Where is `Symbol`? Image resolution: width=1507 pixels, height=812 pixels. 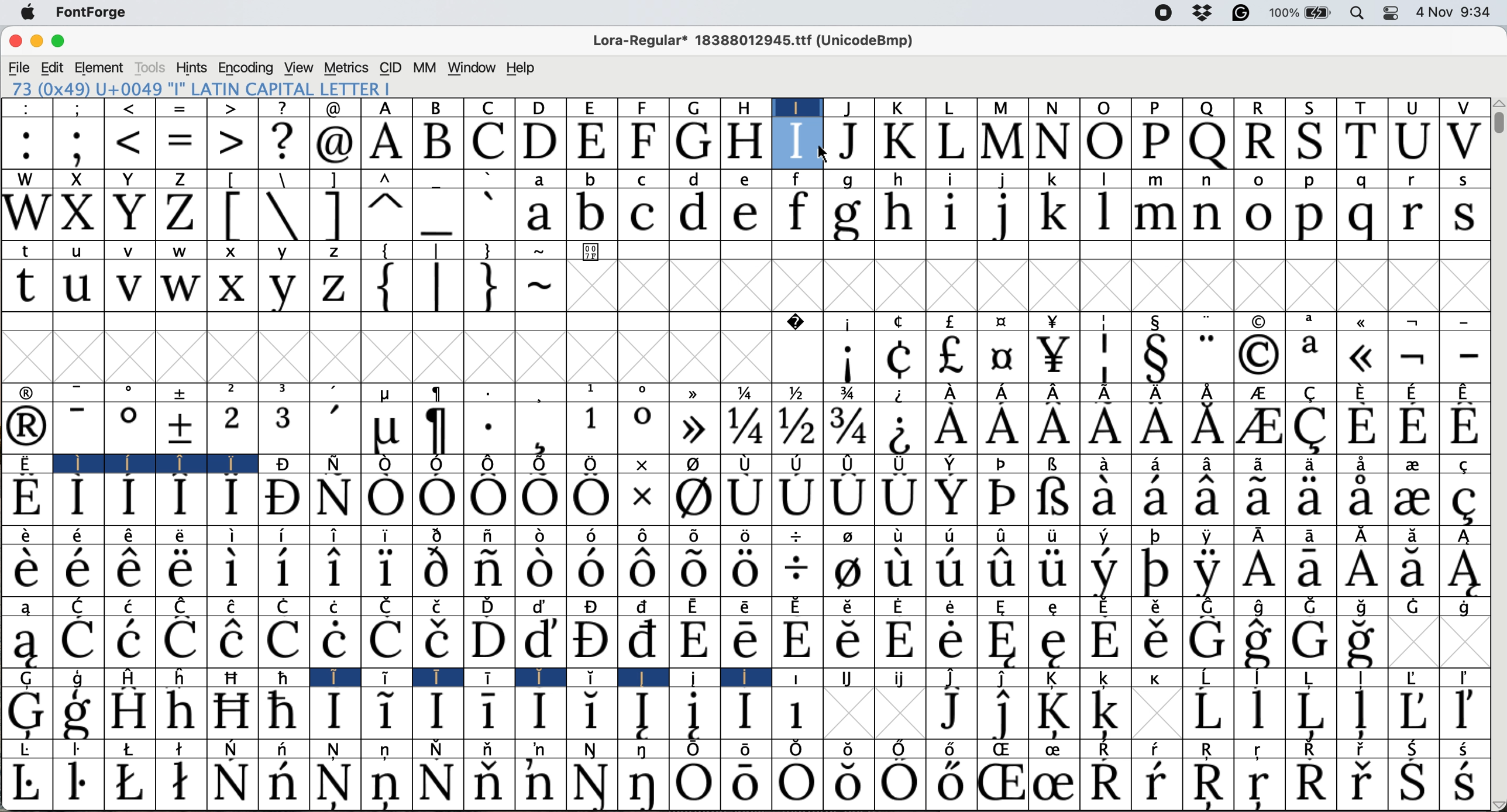 Symbol is located at coordinates (1414, 427).